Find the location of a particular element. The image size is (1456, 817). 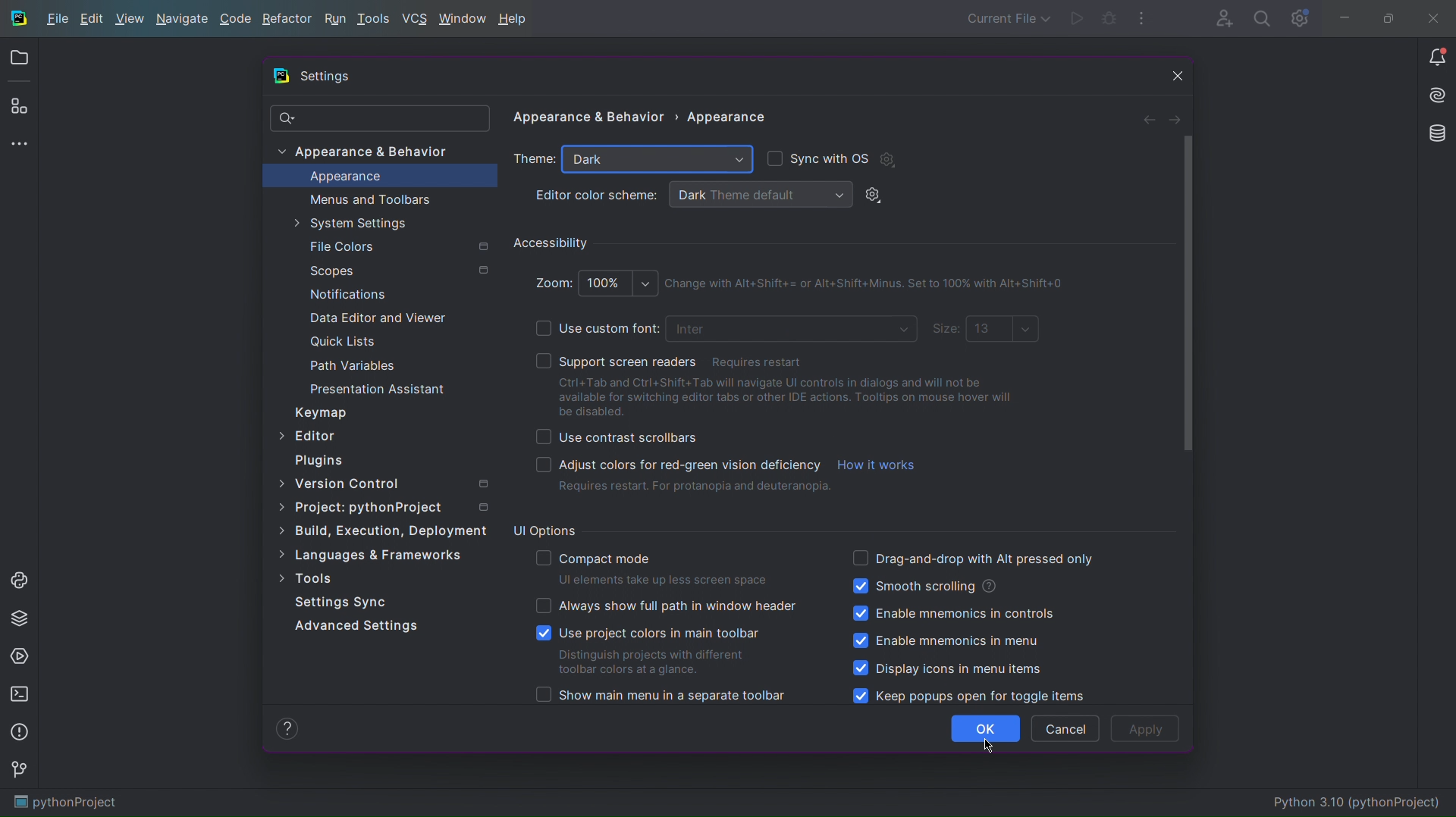

OK is located at coordinates (986, 729).